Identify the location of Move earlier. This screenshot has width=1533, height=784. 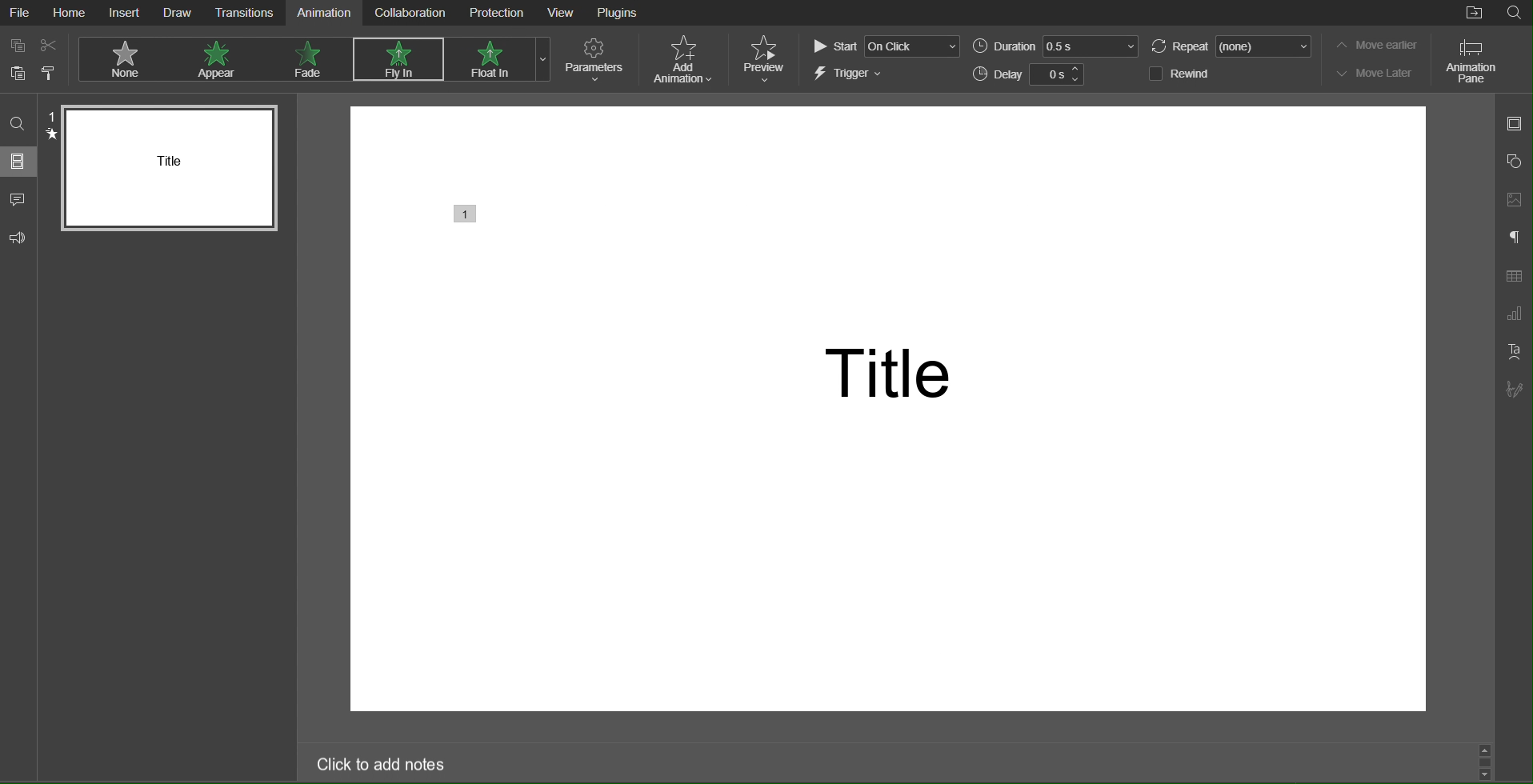
(1374, 46).